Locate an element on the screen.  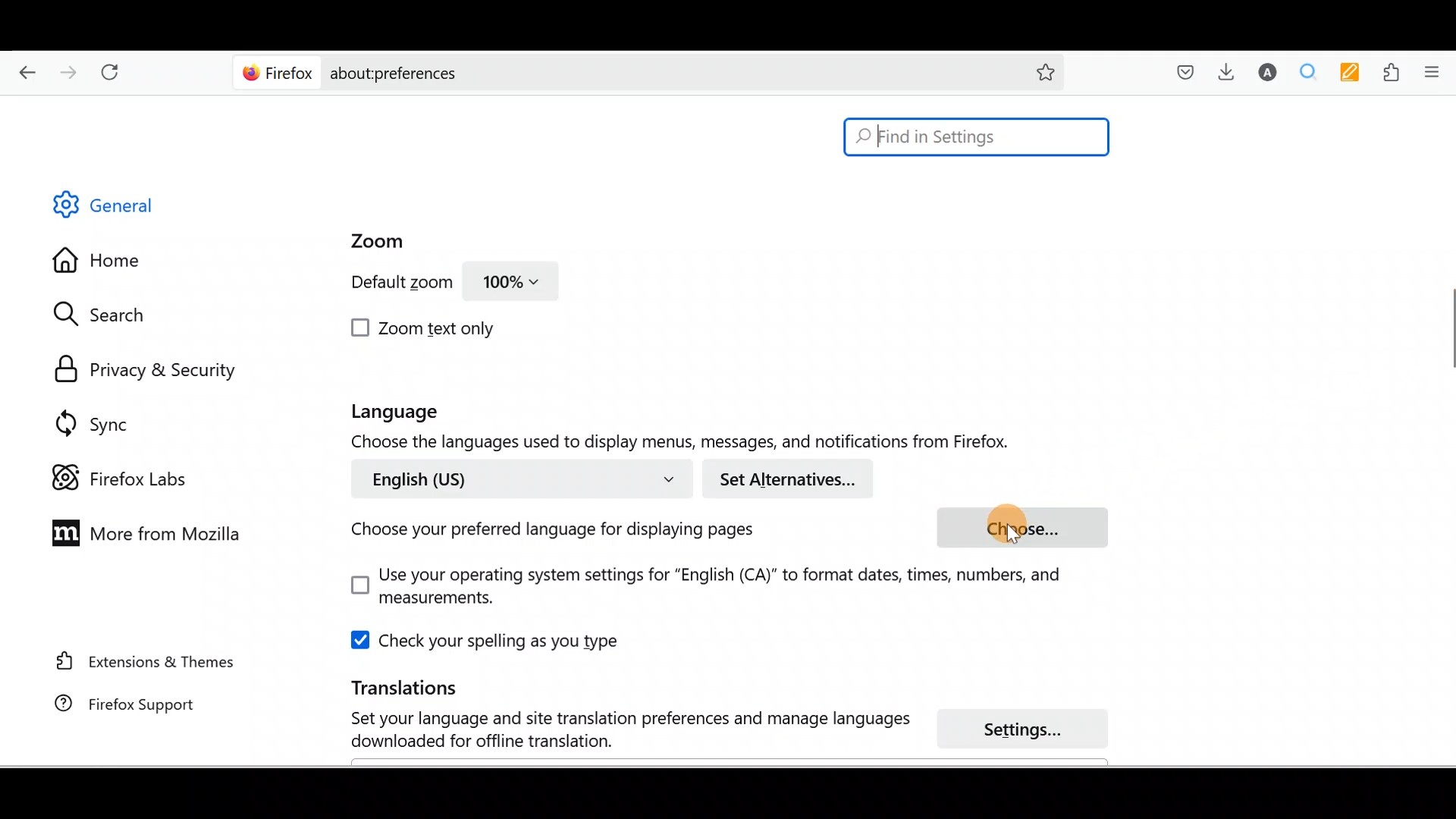
Translations is located at coordinates (384, 686).